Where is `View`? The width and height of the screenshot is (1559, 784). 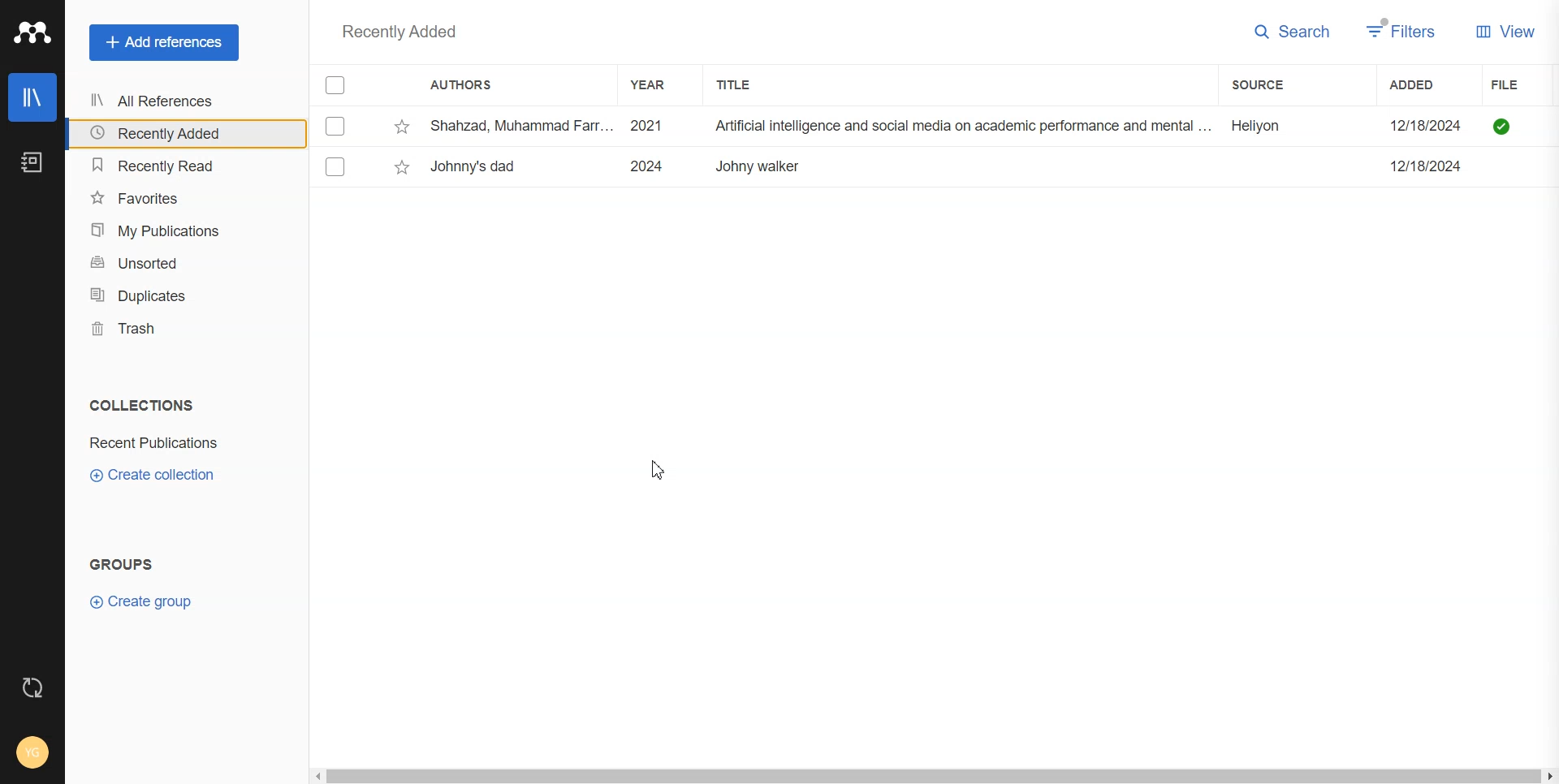
View is located at coordinates (1505, 30).